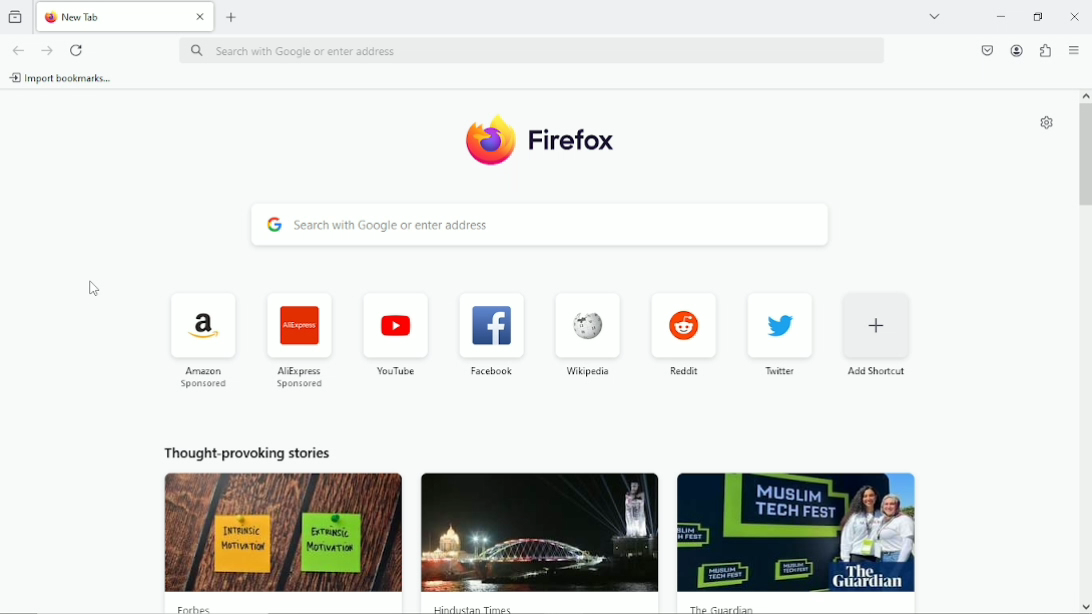 The image size is (1092, 614). Describe the element at coordinates (48, 48) in the screenshot. I see `Go forward` at that location.